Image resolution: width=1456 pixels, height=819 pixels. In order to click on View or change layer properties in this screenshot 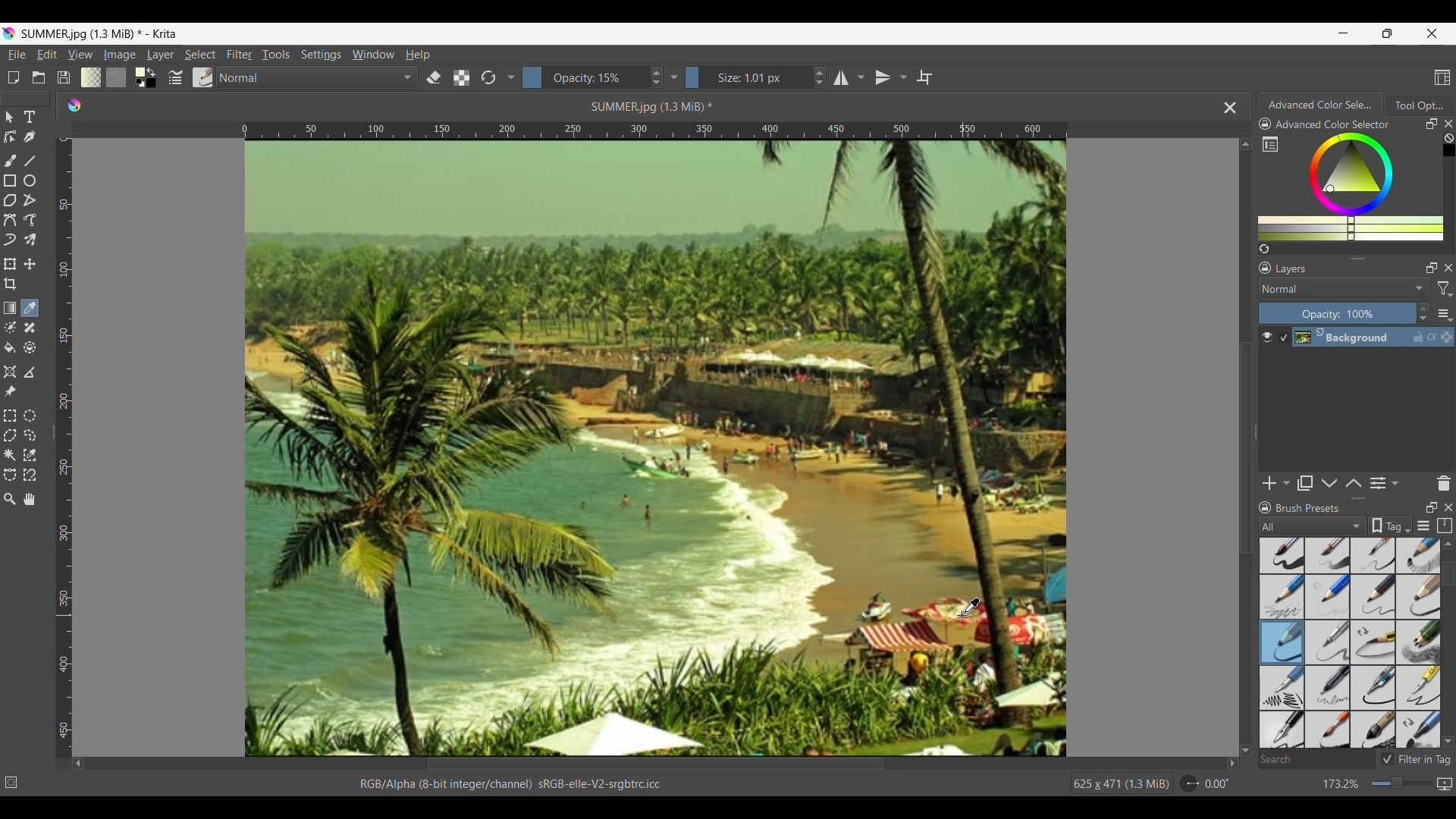, I will do `click(1378, 483)`.